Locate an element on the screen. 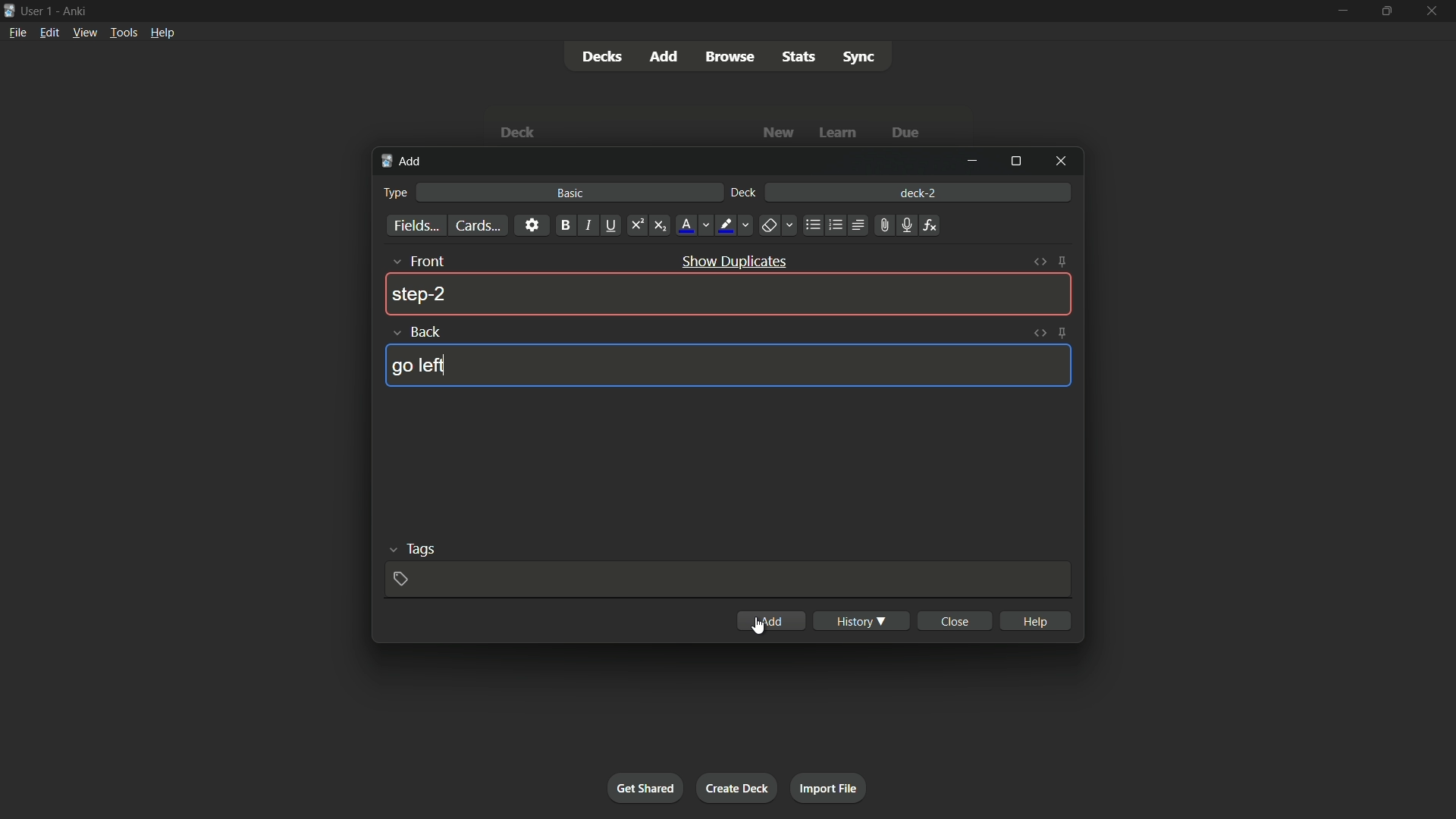 This screenshot has height=819, width=1456. cursor is located at coordinates (759, 627).